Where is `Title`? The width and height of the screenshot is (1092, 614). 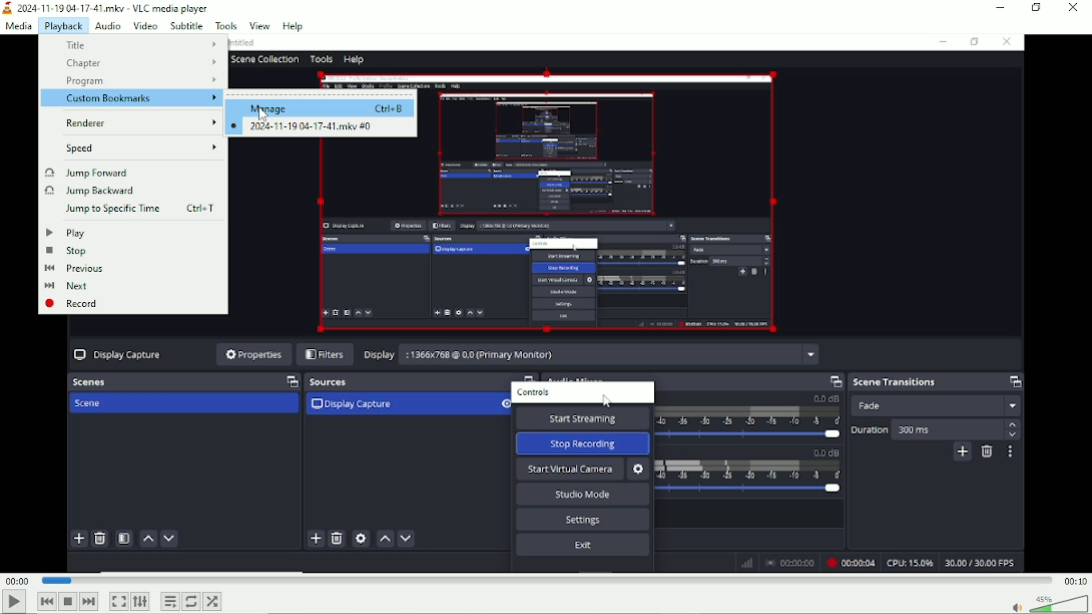
Title is located at coordinates (138, 45).